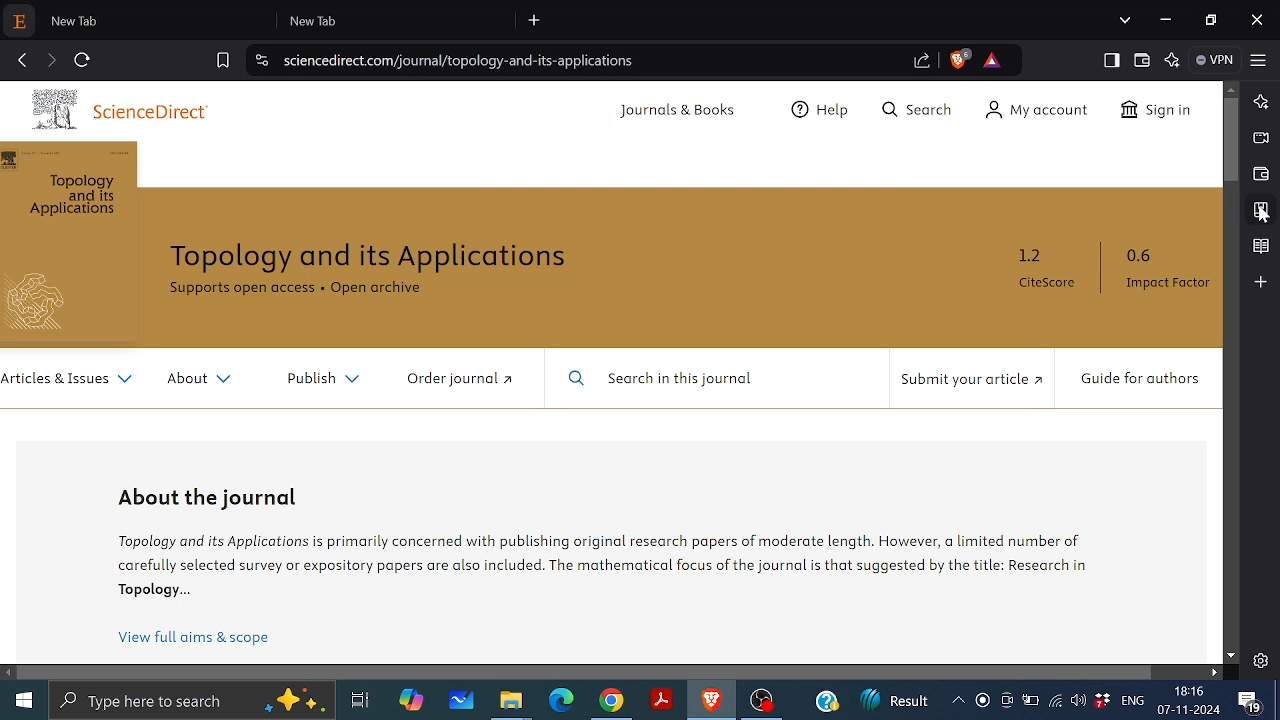 The height and width of the screenshot is (720, 1280). What do you see at coordinates (69, 382) in the screenshot?
I see `Articles and Issues` at bounding box center [69, 382].